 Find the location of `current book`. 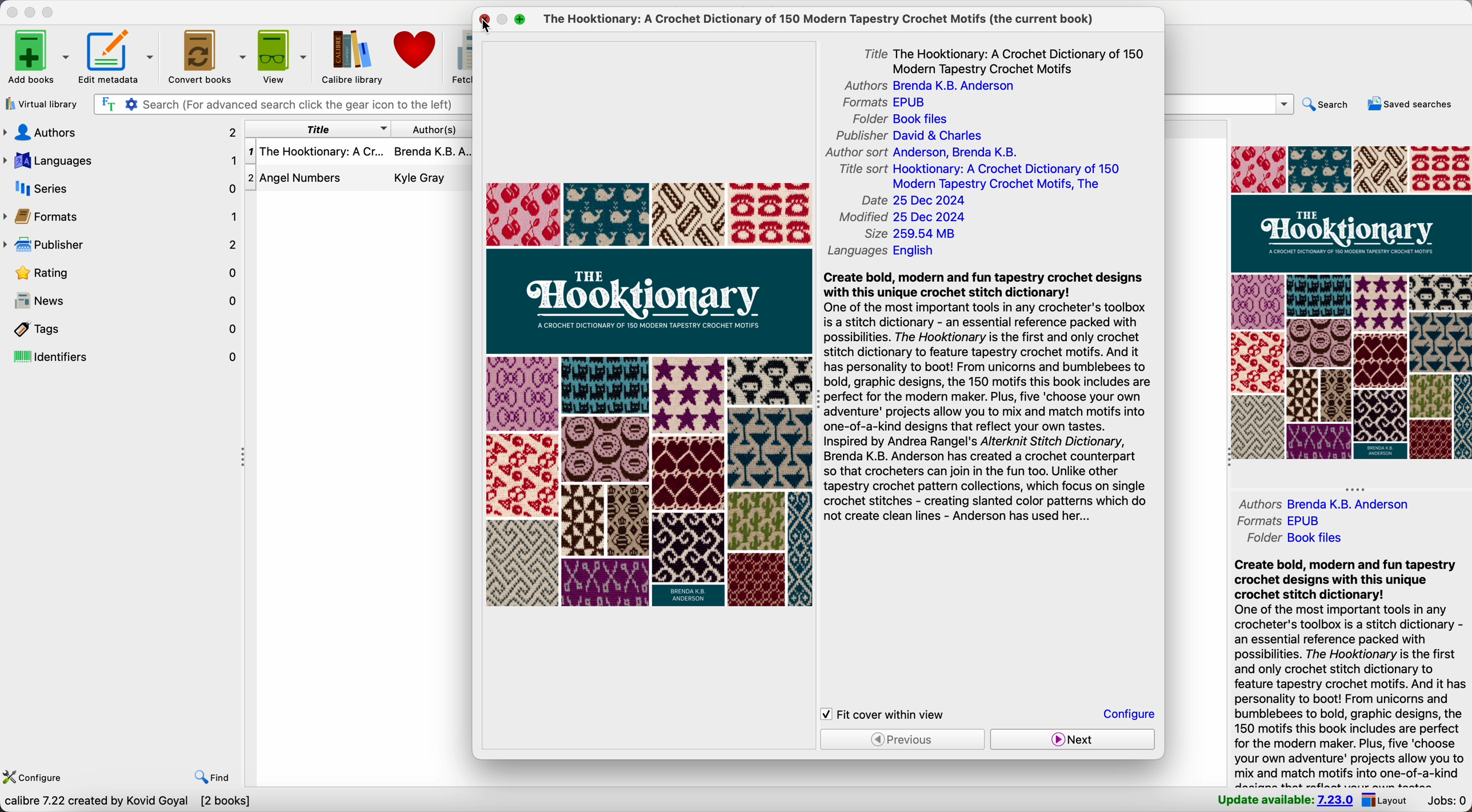

current book is located at coordinates (826, 19).